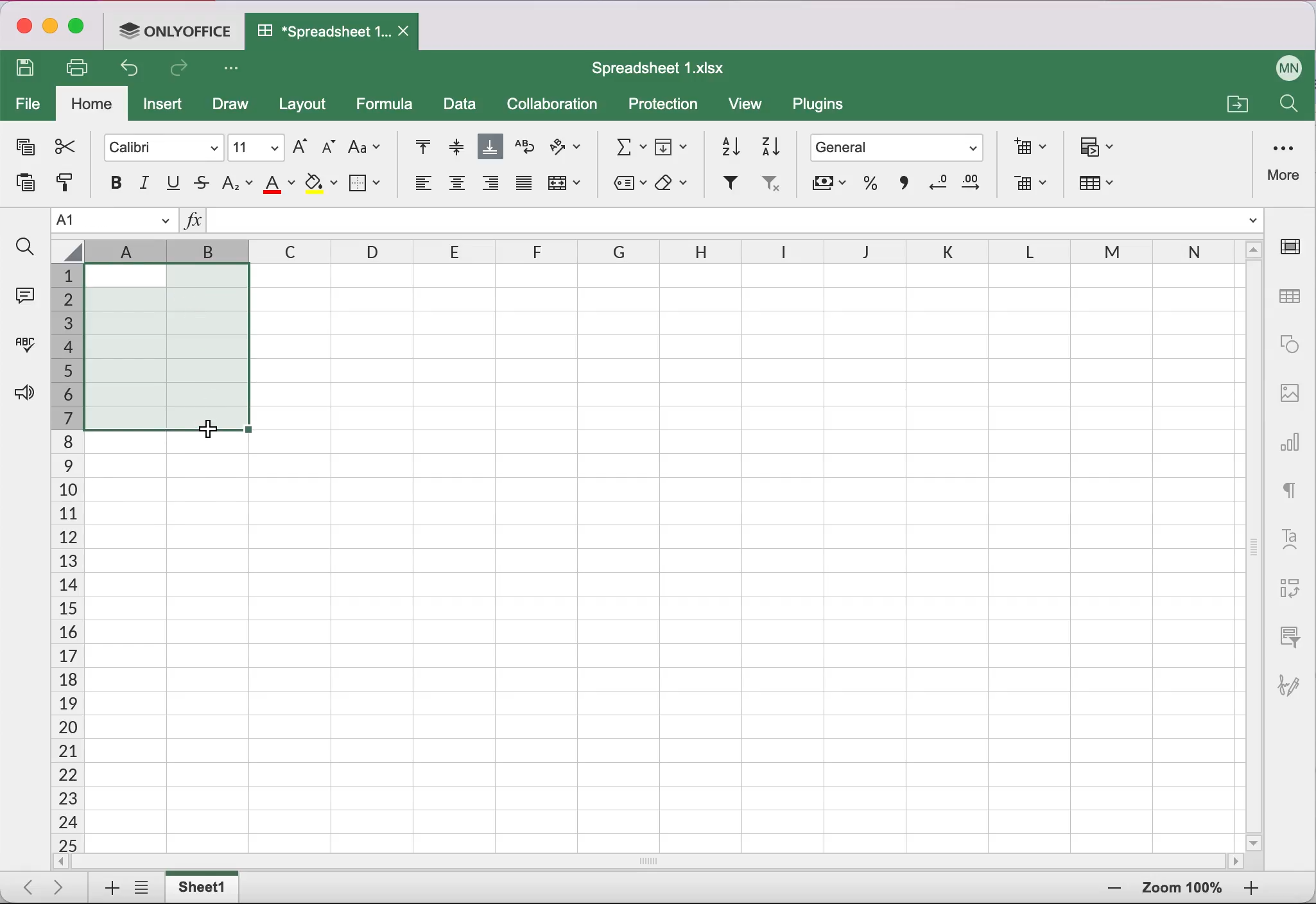 Image resolution: width=1316 pixels, height=904 pixels. What do you see at coordinates (1290, 391) in the screenshot?
I see `image` at bounding box center [1290, 391].